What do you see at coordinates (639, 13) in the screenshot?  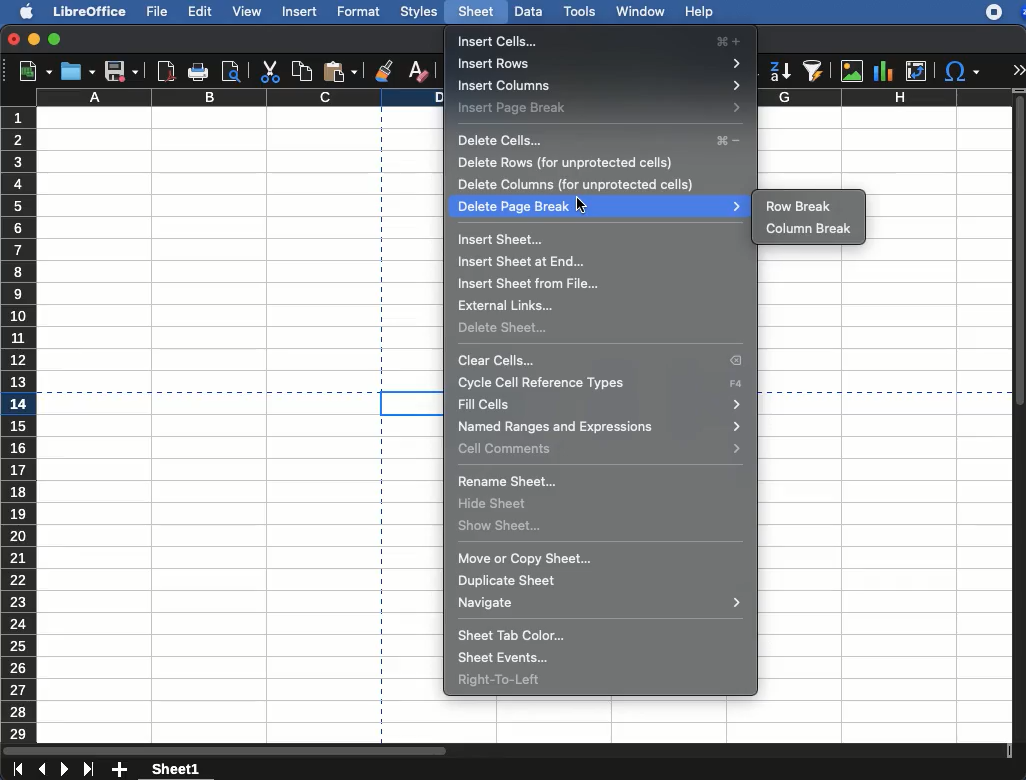 I see `window` at bounding box center [639, 13].